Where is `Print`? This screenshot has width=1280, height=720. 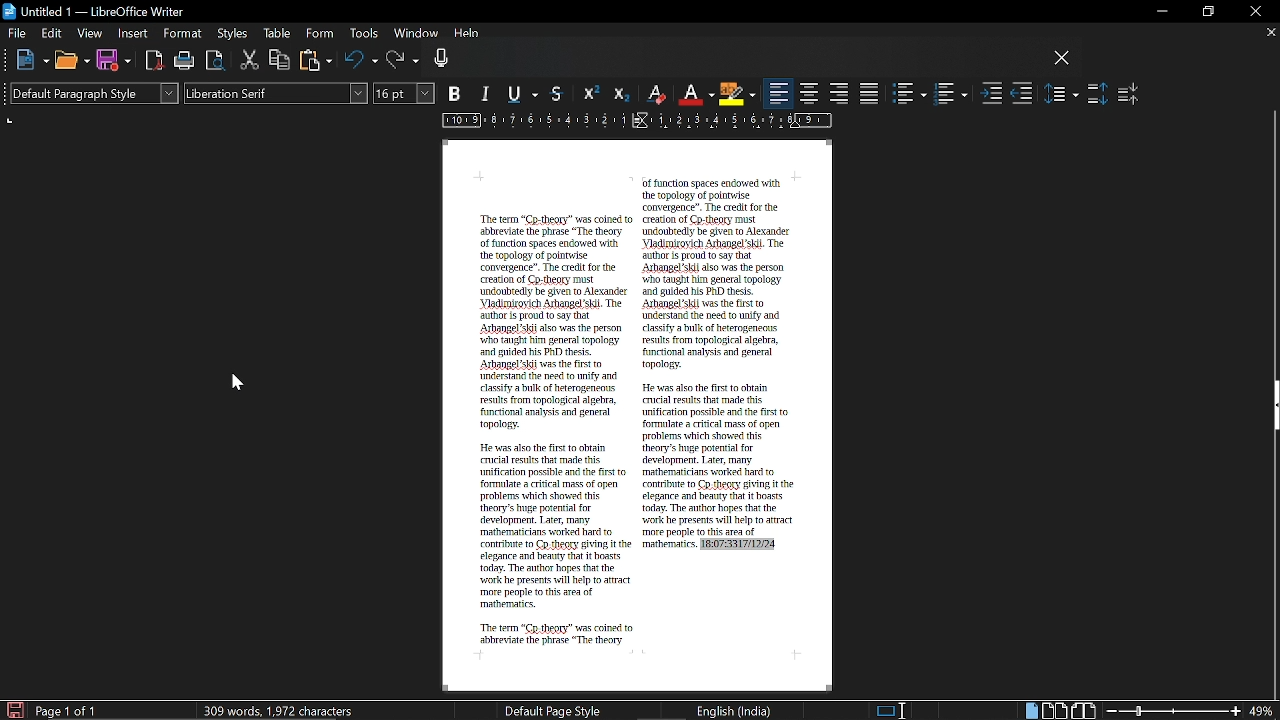 Print is located at coordinates (186, 62).